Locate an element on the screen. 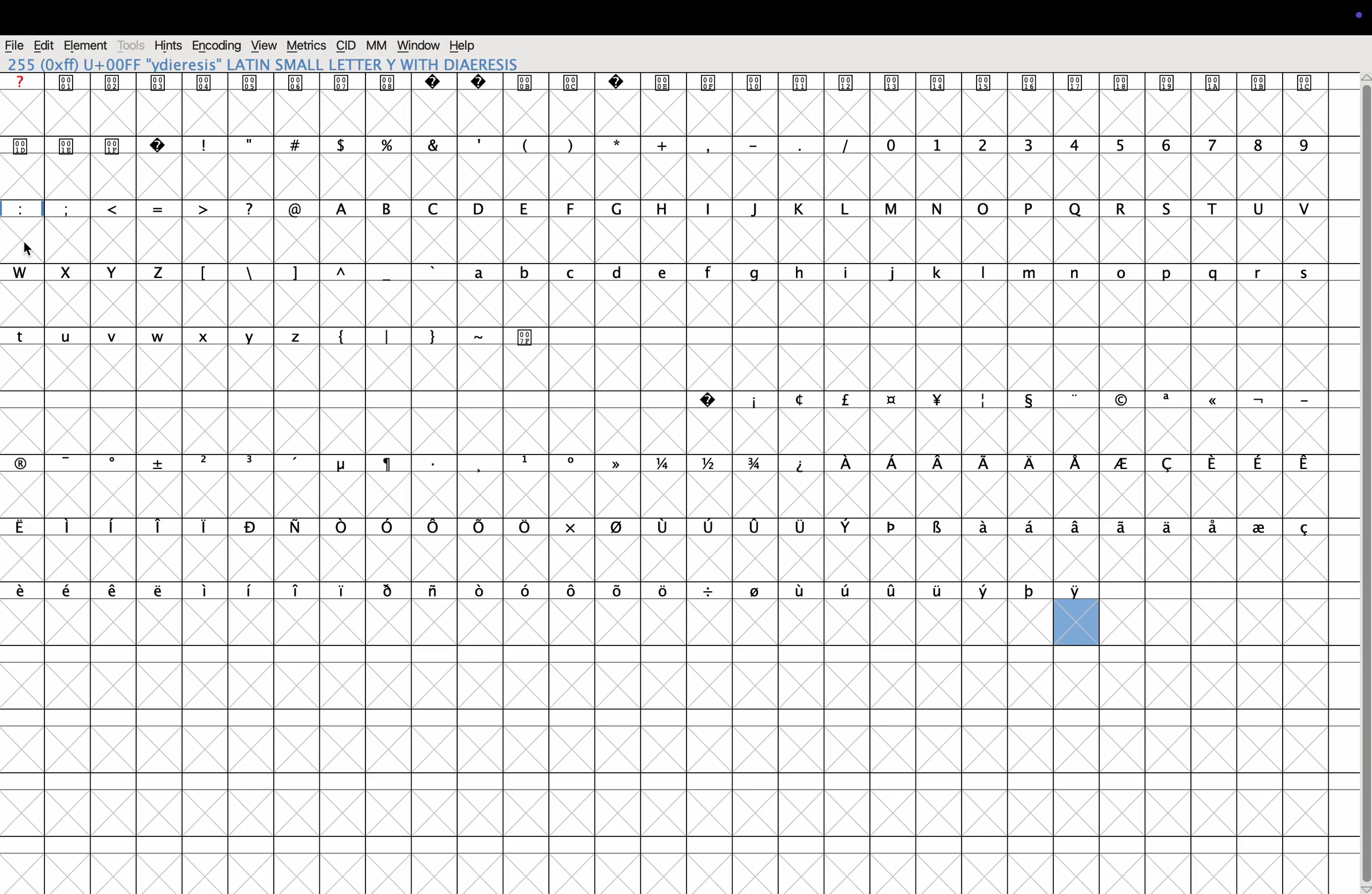 This screenshot has height=894, width=1372. U is located at coordinates (1260, 228).